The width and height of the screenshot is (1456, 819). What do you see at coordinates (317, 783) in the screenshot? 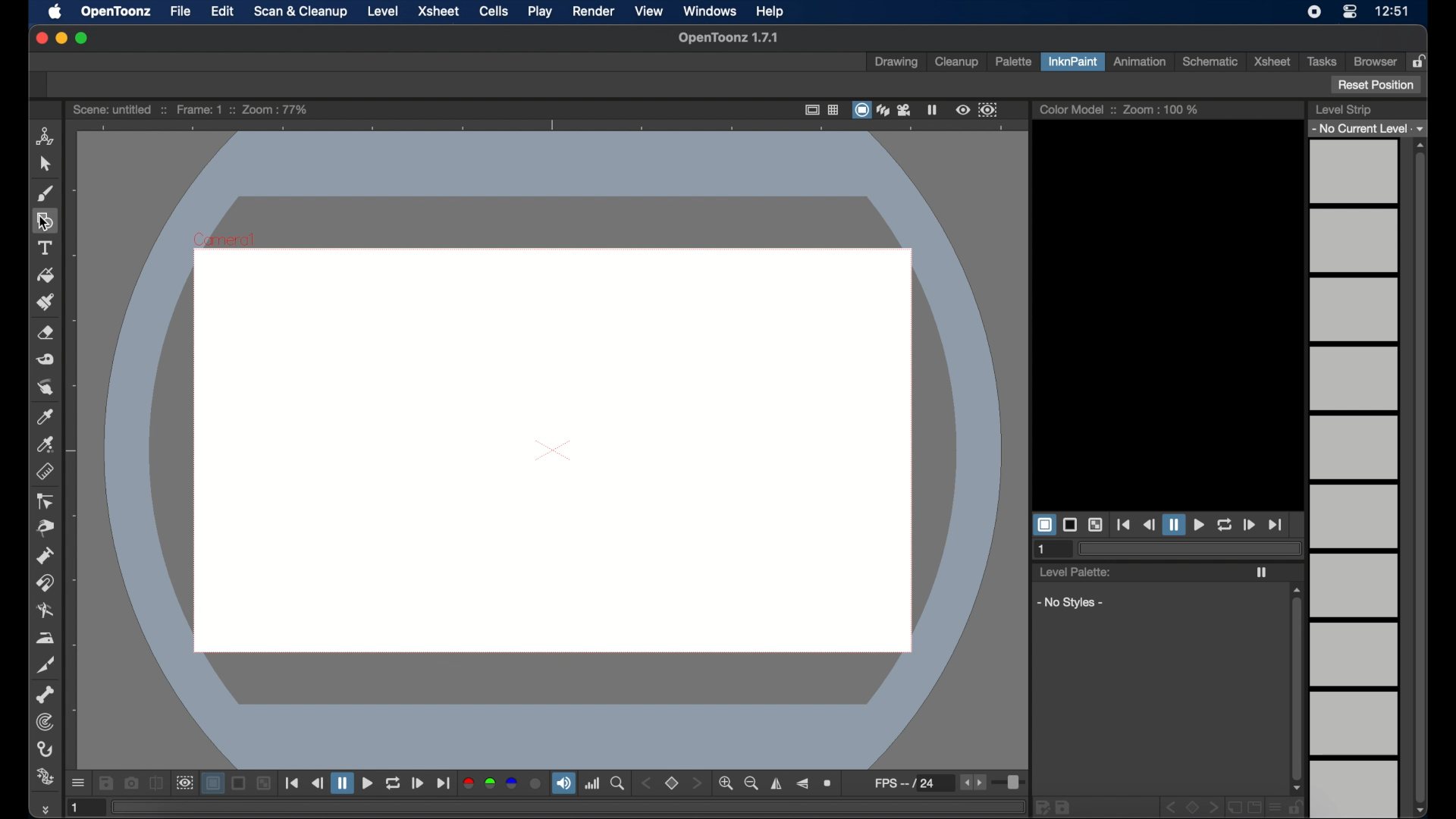
I see `rewind` at bounding box center [317, 783].